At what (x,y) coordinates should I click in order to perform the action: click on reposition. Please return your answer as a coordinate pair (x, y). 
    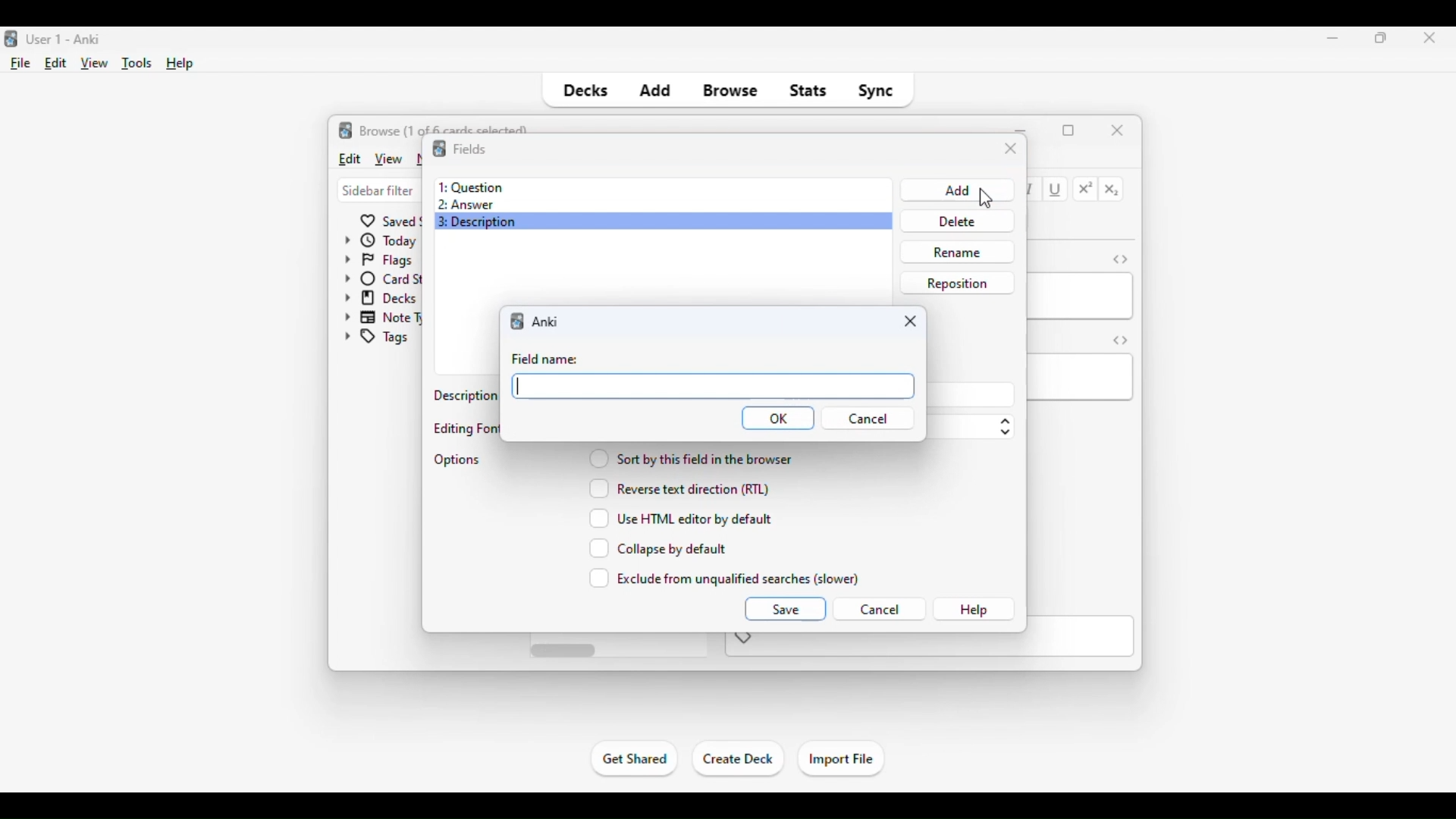
    Looking at the image, I should click on (957, 282).